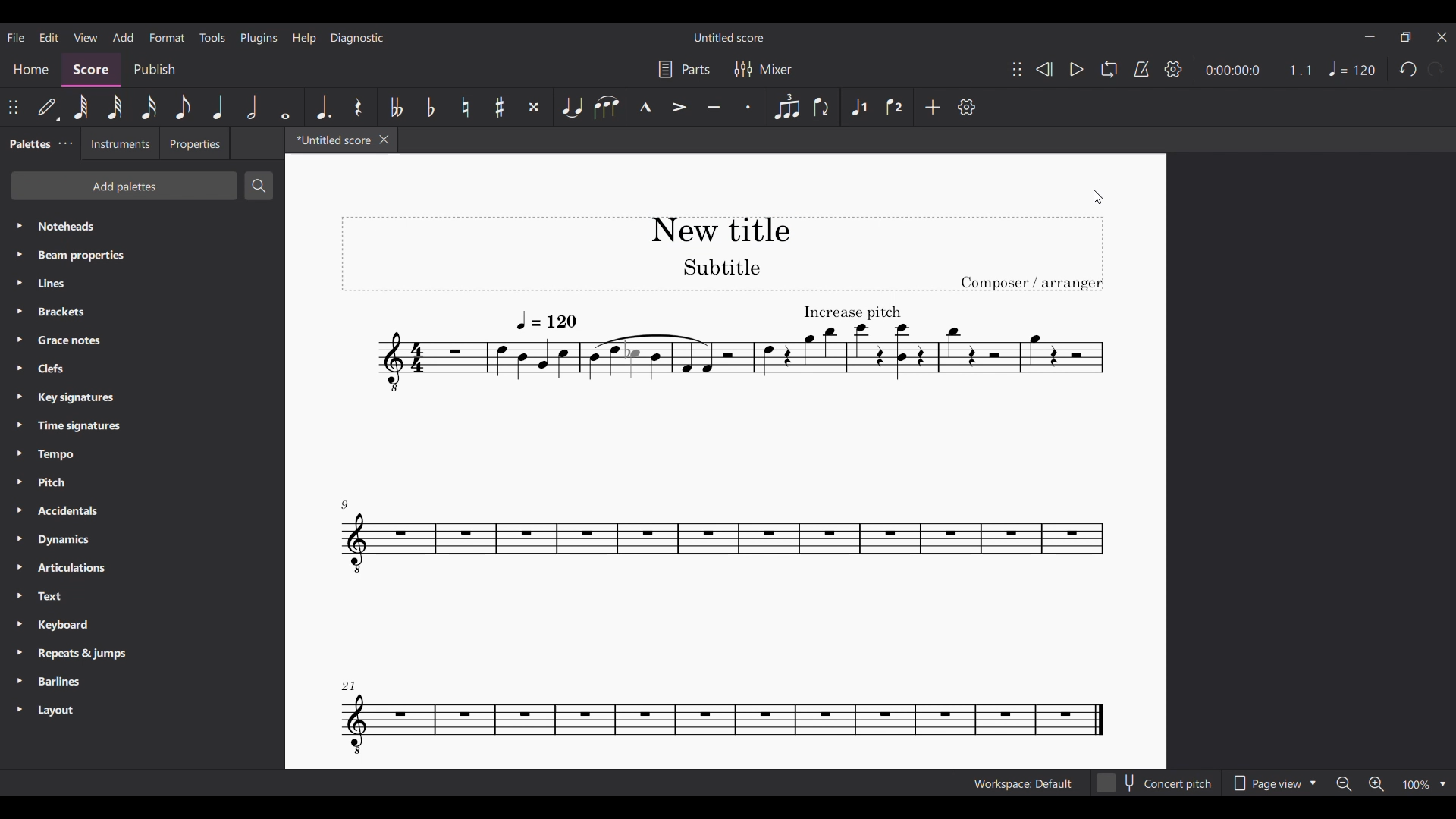 Image resolution: width=1456 pixels, height=819 pixels. What do you see at coordinates (304, 39) in the screenshot?
I see `Help menu` at bounding box center [304, 39].